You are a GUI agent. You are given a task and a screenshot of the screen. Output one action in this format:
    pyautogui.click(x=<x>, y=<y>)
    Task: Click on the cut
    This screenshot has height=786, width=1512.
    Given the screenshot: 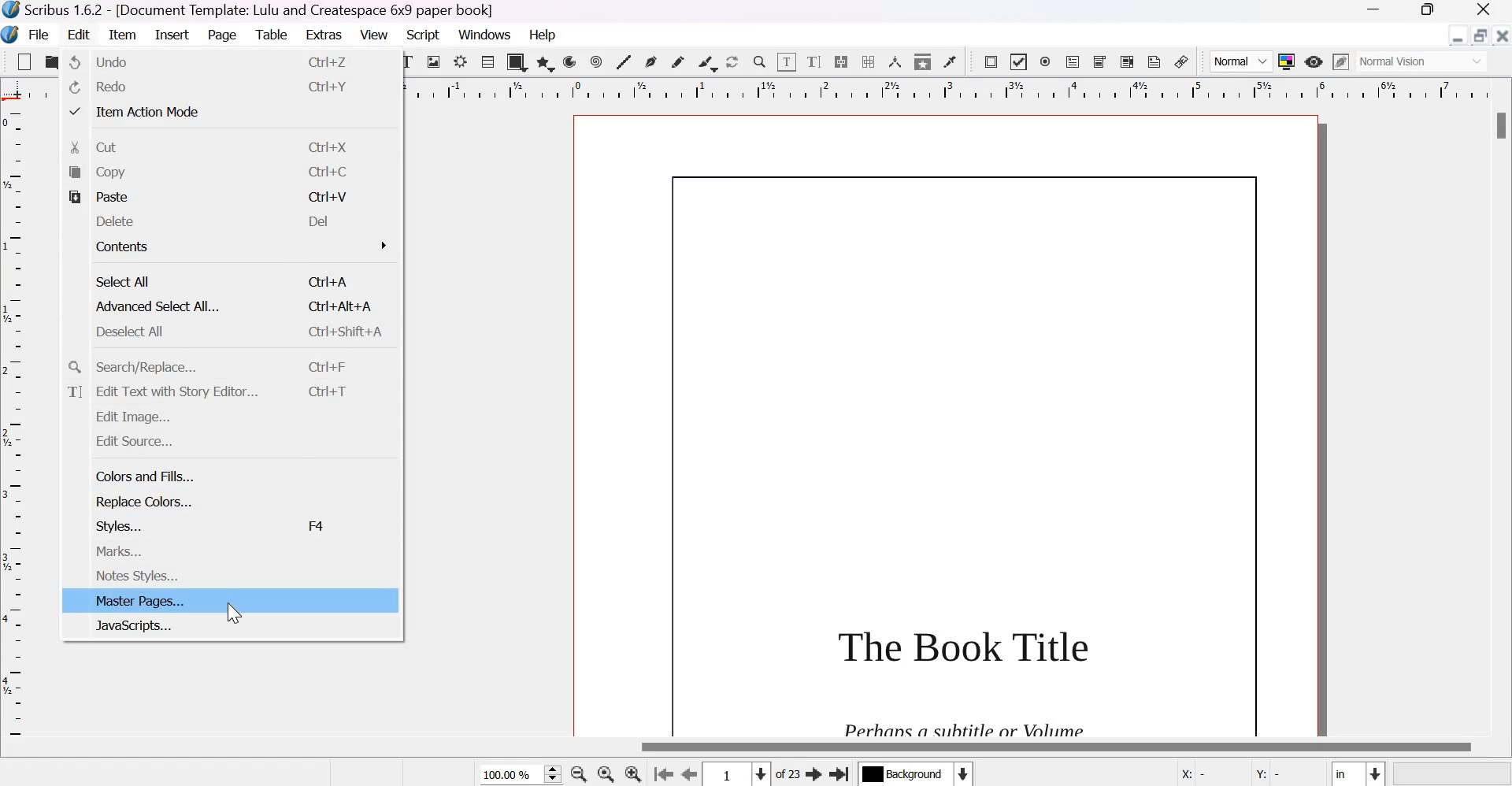 What is the action you would take?
    pyautogui.click(x=75, y=148)
    